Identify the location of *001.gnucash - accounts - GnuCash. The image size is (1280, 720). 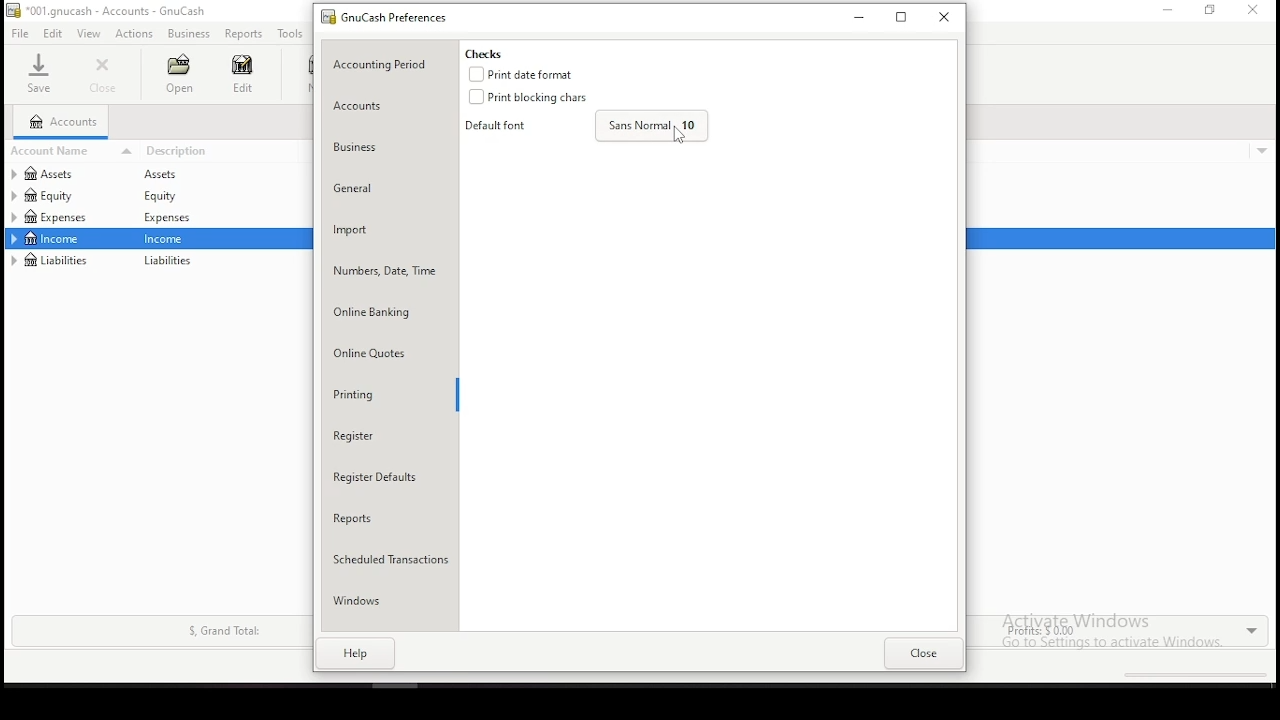
(106, 11).